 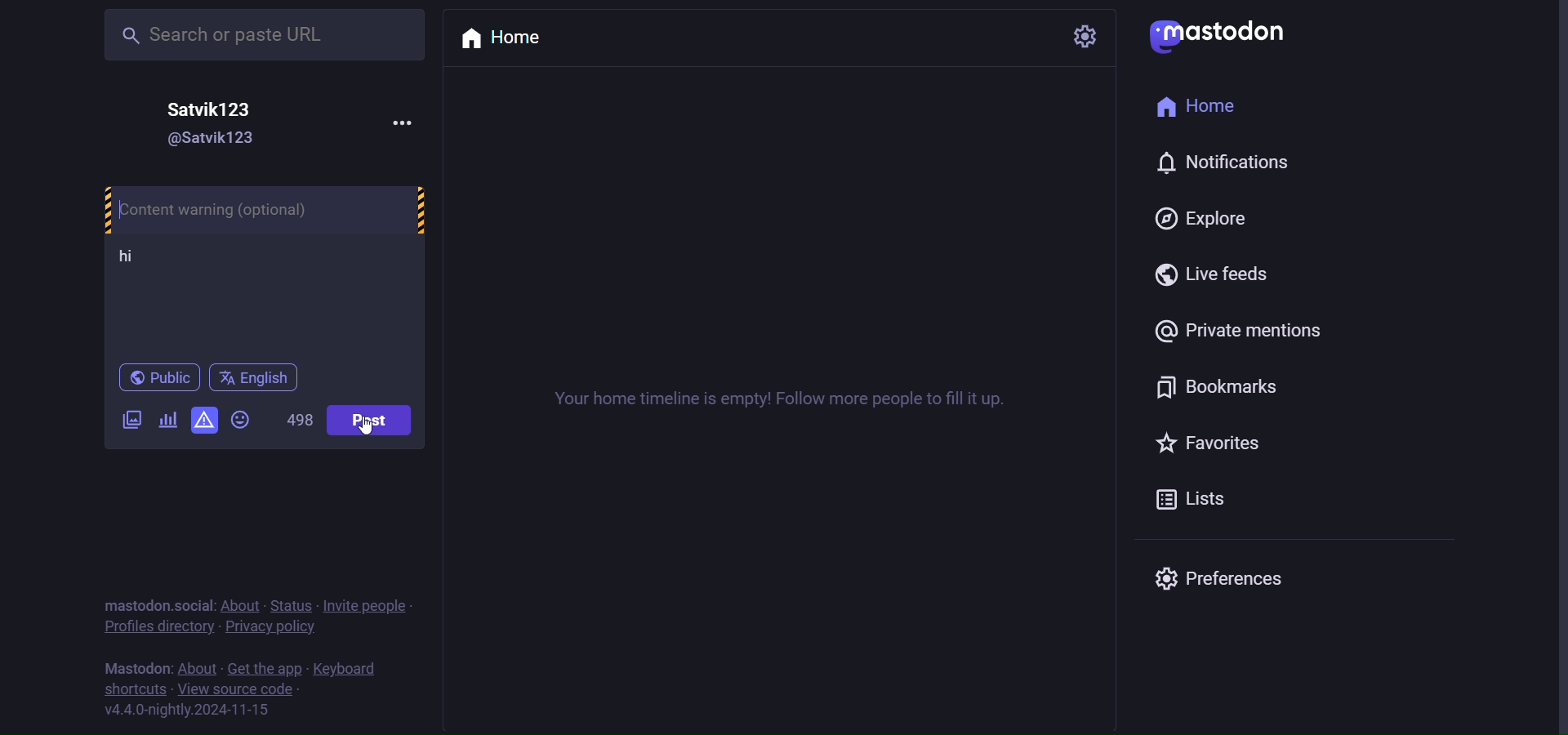 What do you see at coordinates (795, 400) in the screenshot?
I see `instruction` at bounding box center [795, 400].